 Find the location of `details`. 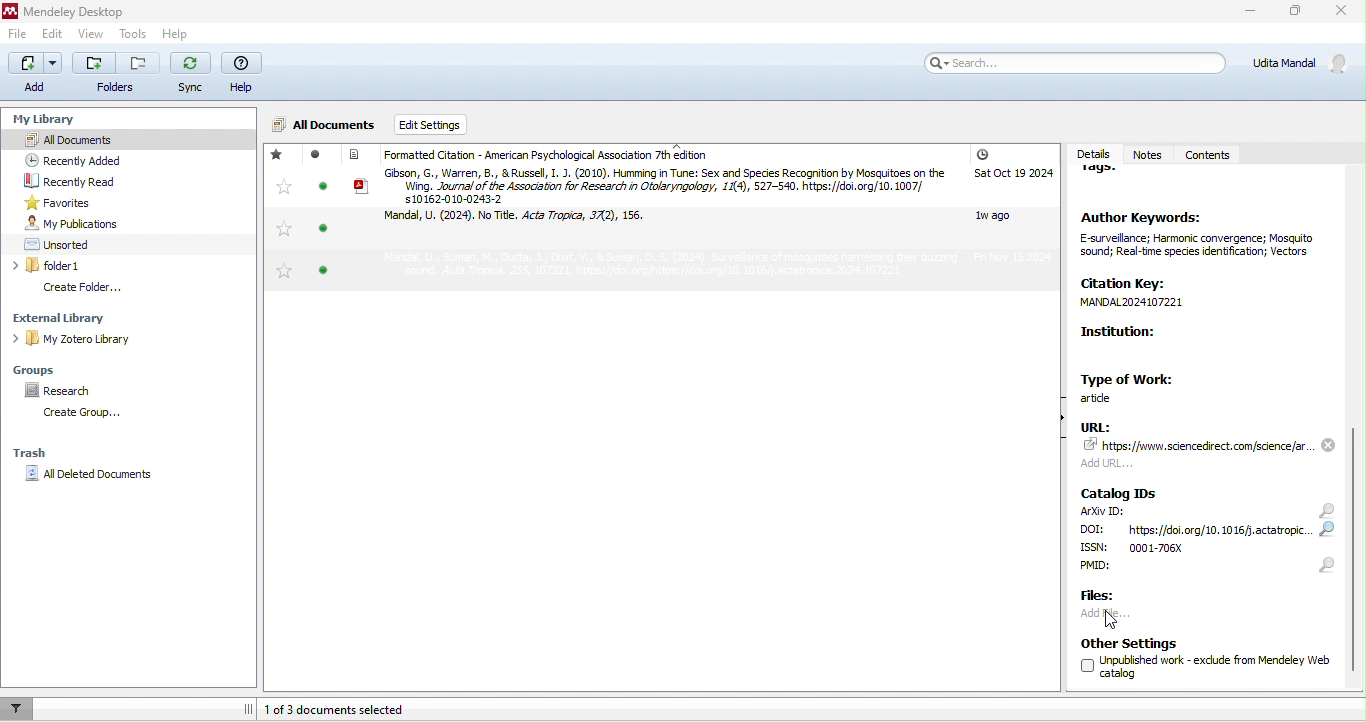

details is located at coordinates (1091, 149).